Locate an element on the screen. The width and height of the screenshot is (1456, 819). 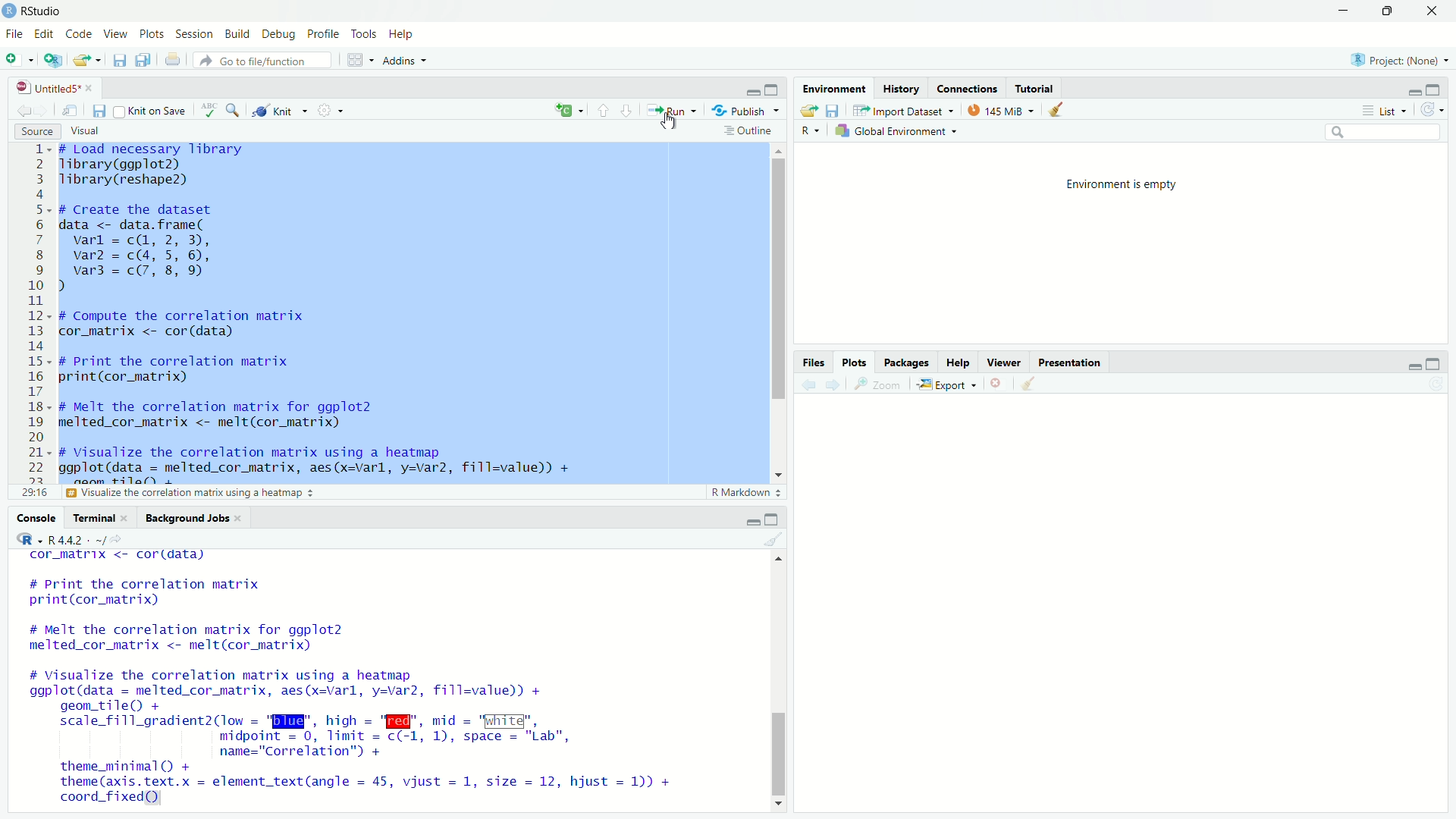
packages is located at coordinates (904, 362).